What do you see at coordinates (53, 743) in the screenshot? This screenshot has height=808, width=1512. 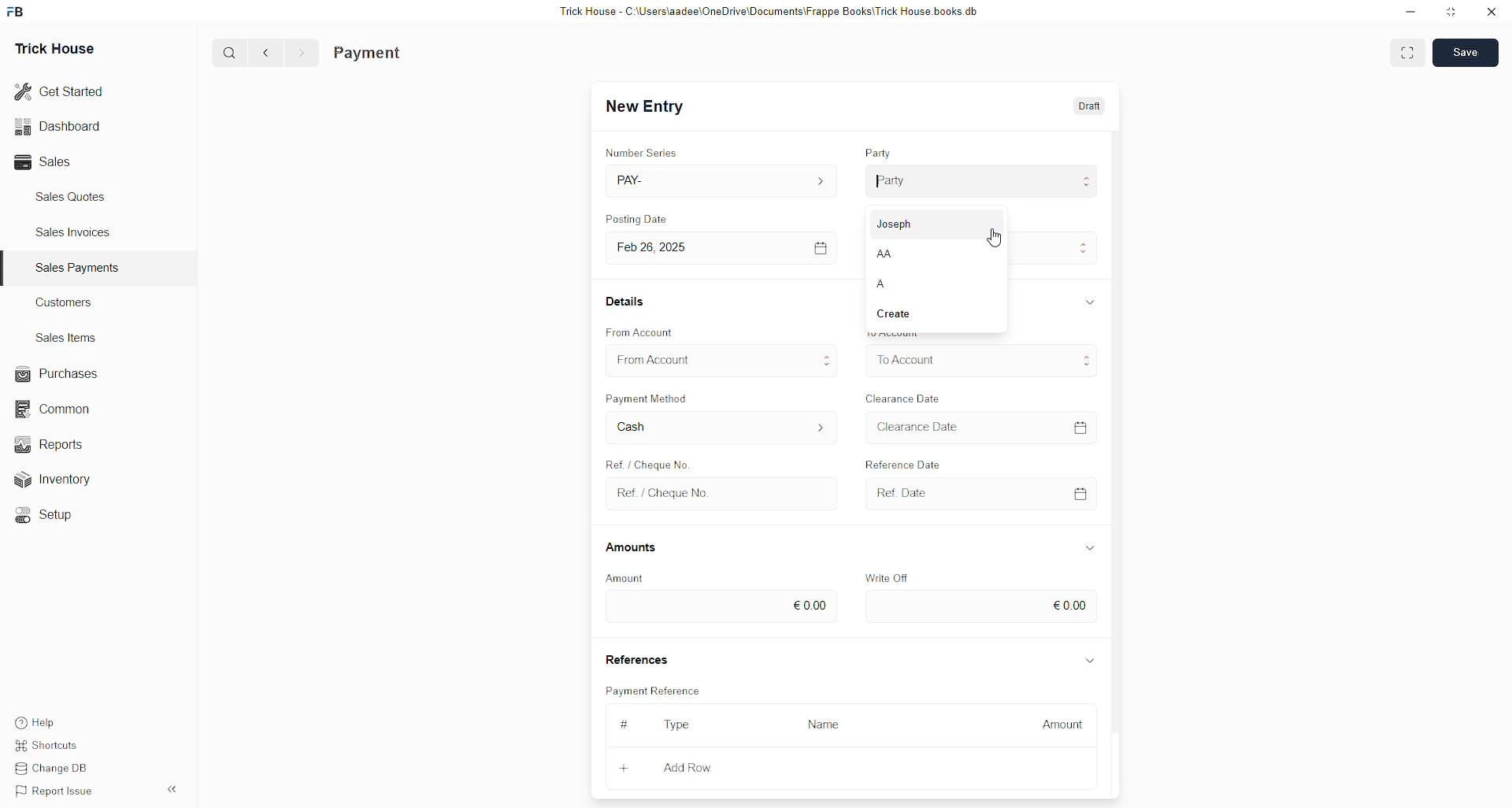 I see `Shortcuts` at bounding box center [53, 743].